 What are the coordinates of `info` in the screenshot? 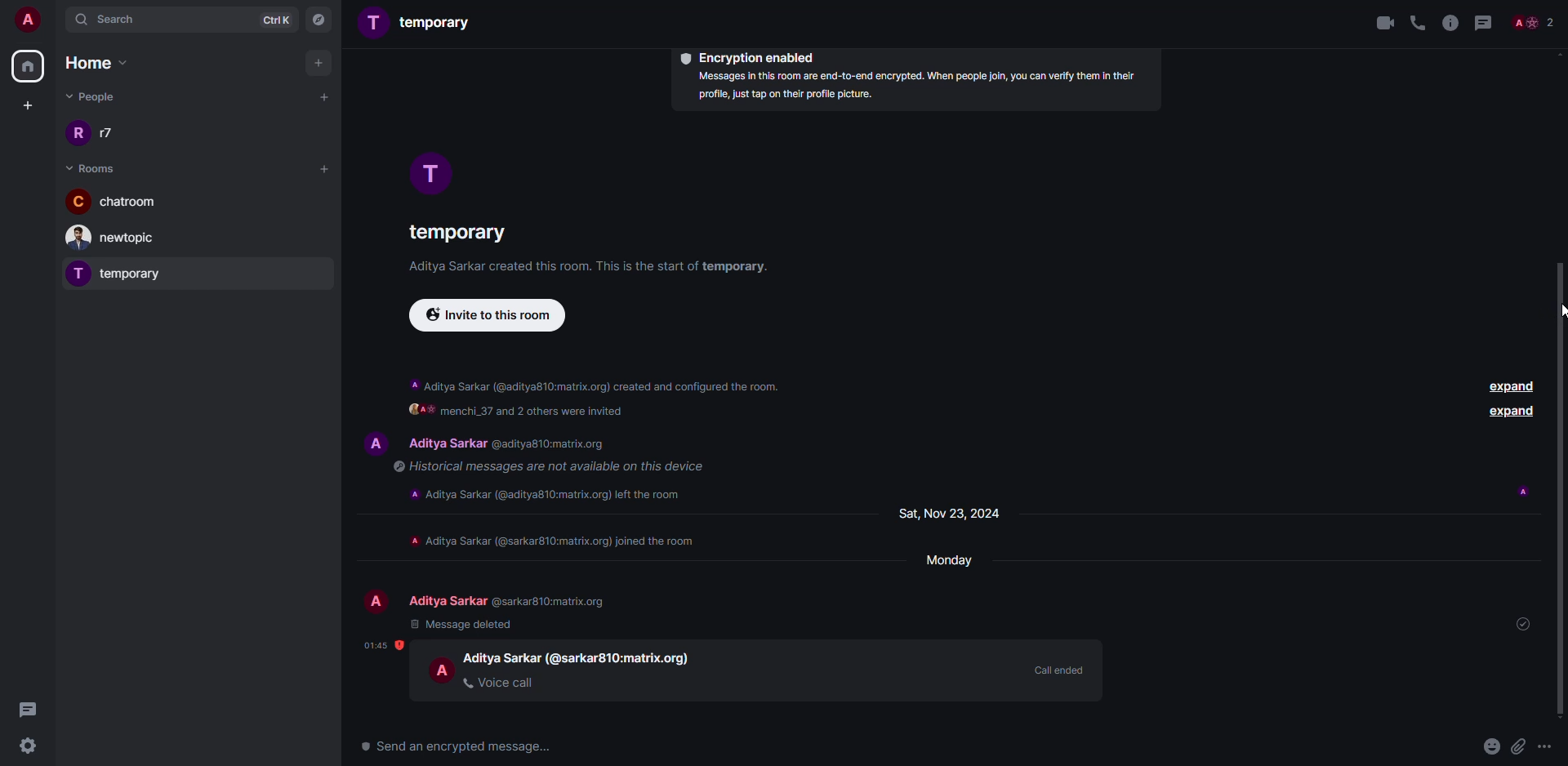 It's located at (1449, 22).